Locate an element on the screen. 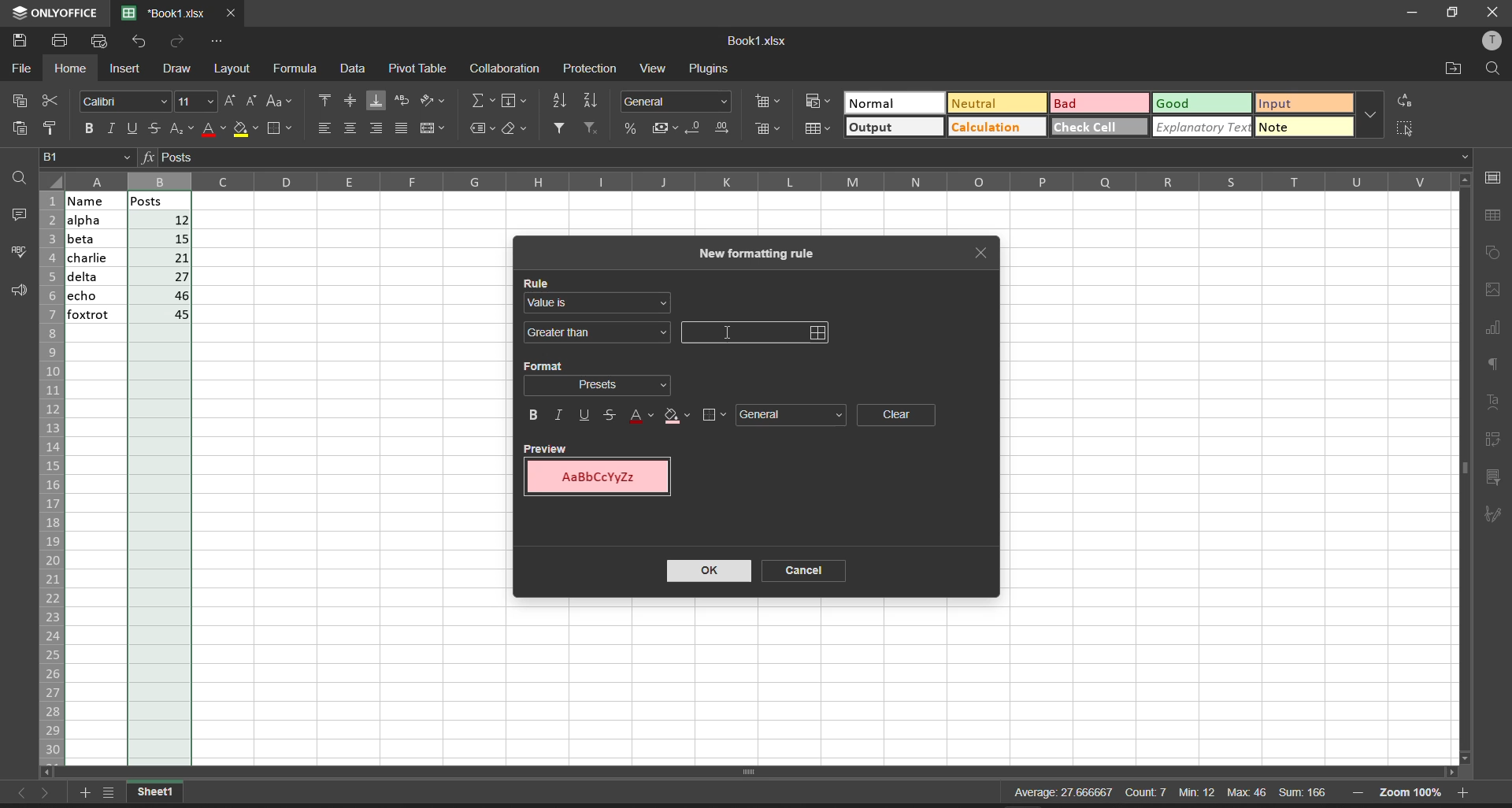  increase decimal is located at coordinates (721, 128).